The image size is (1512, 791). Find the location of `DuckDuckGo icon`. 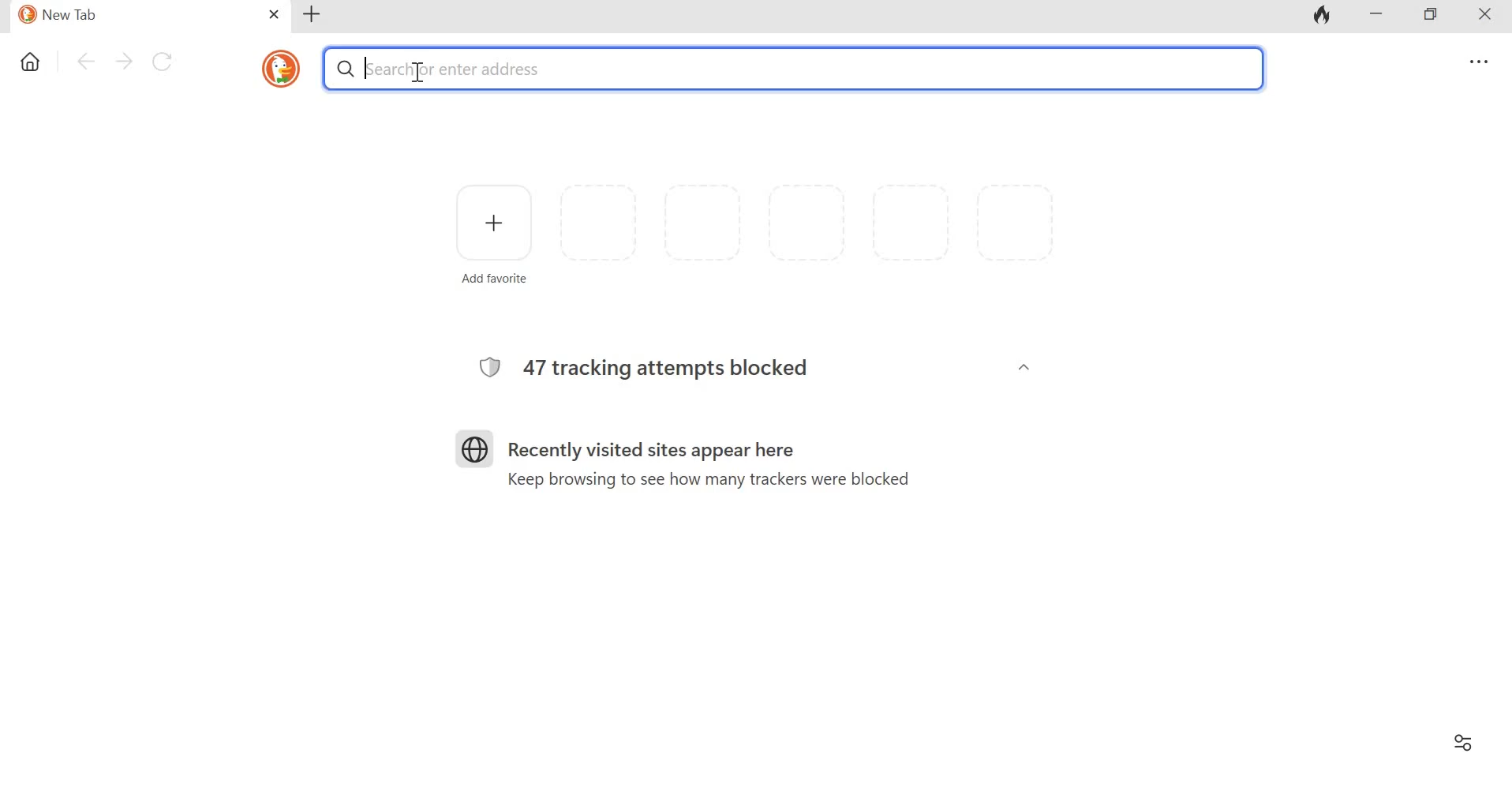

DuckDuckGo icon is located at coordinates (280, 69).